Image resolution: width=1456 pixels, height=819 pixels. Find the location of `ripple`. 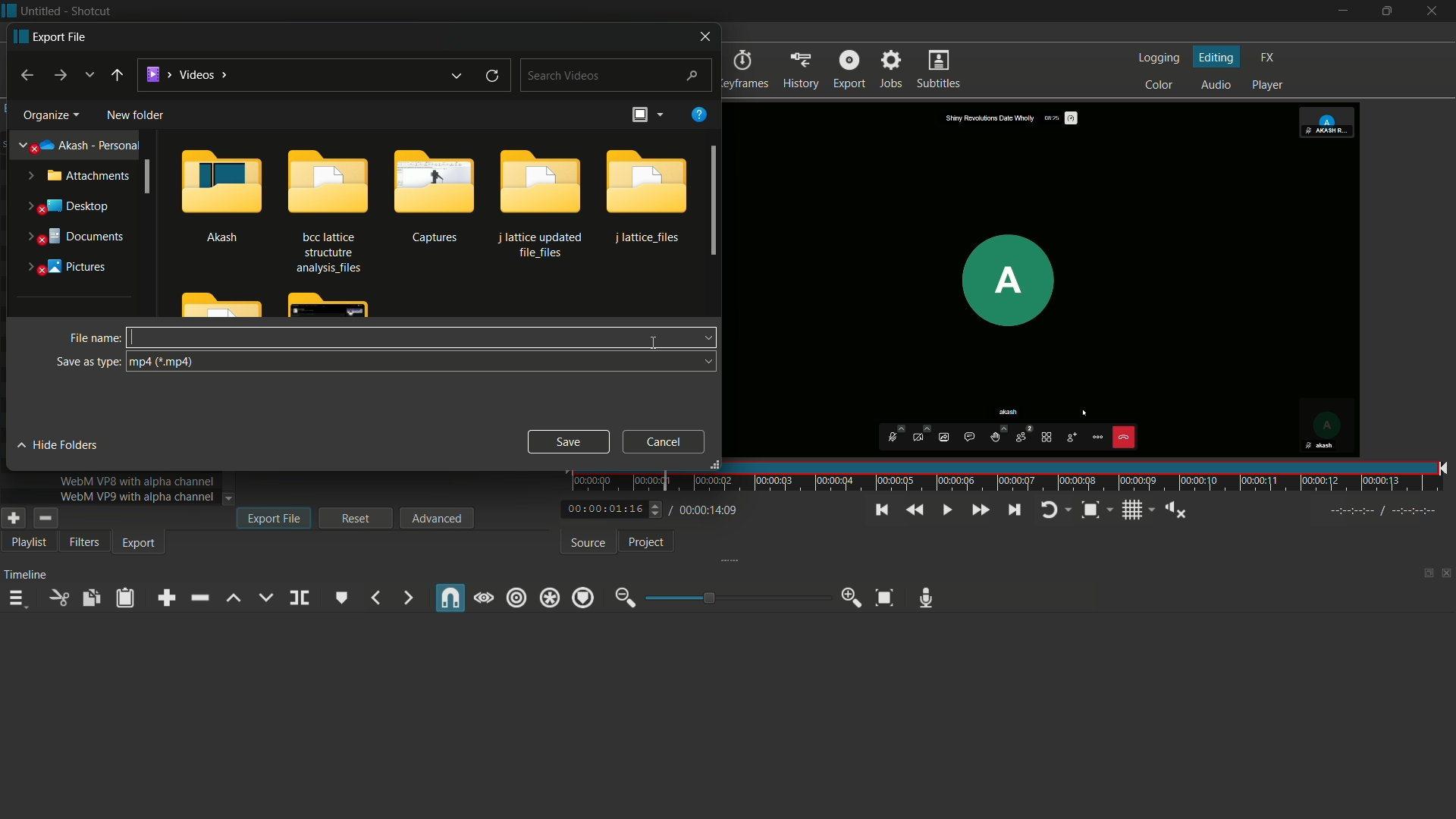

ripple is located at coordinates (518, 597).